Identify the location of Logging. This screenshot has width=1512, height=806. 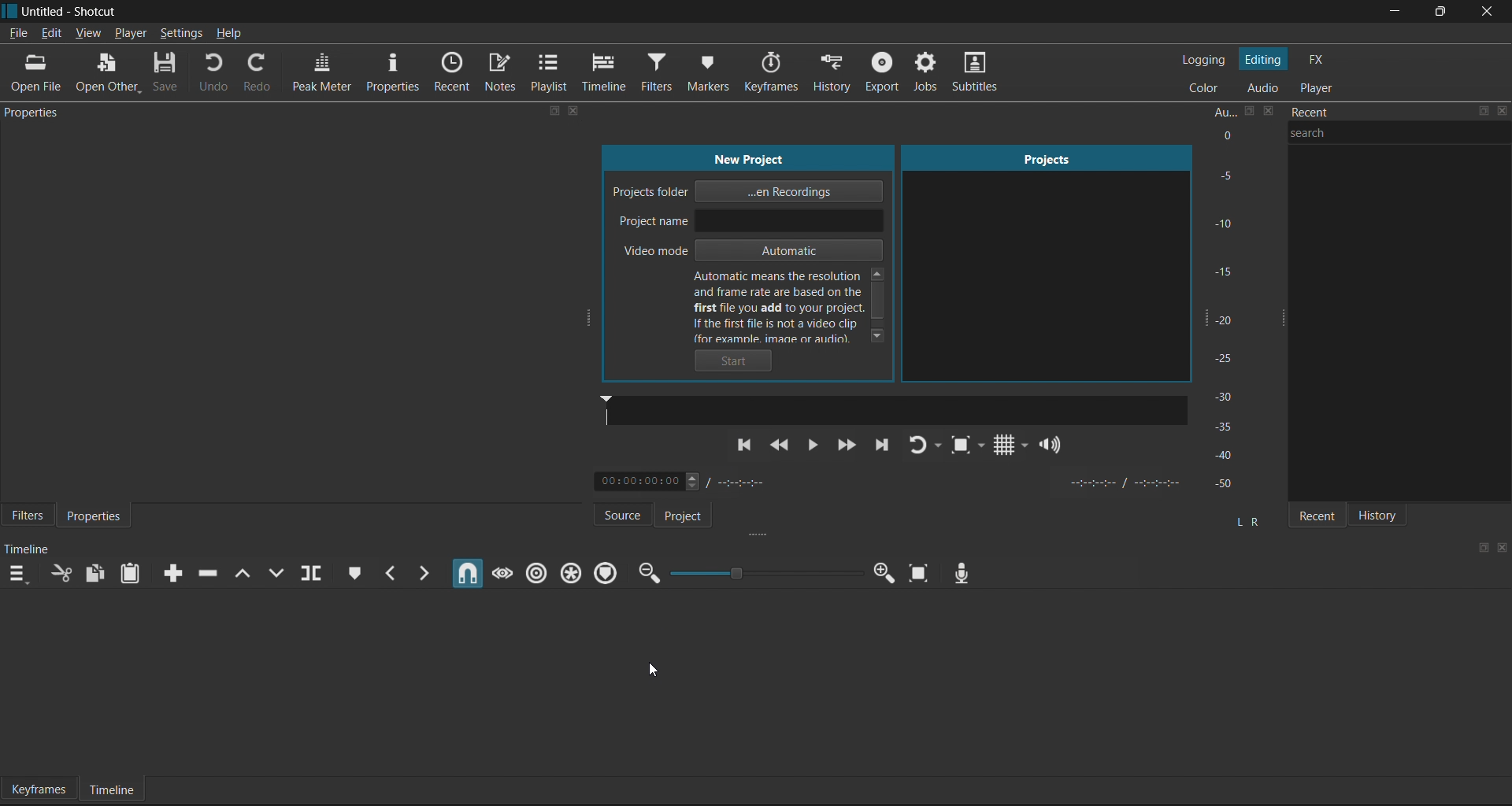
(1206, 61).